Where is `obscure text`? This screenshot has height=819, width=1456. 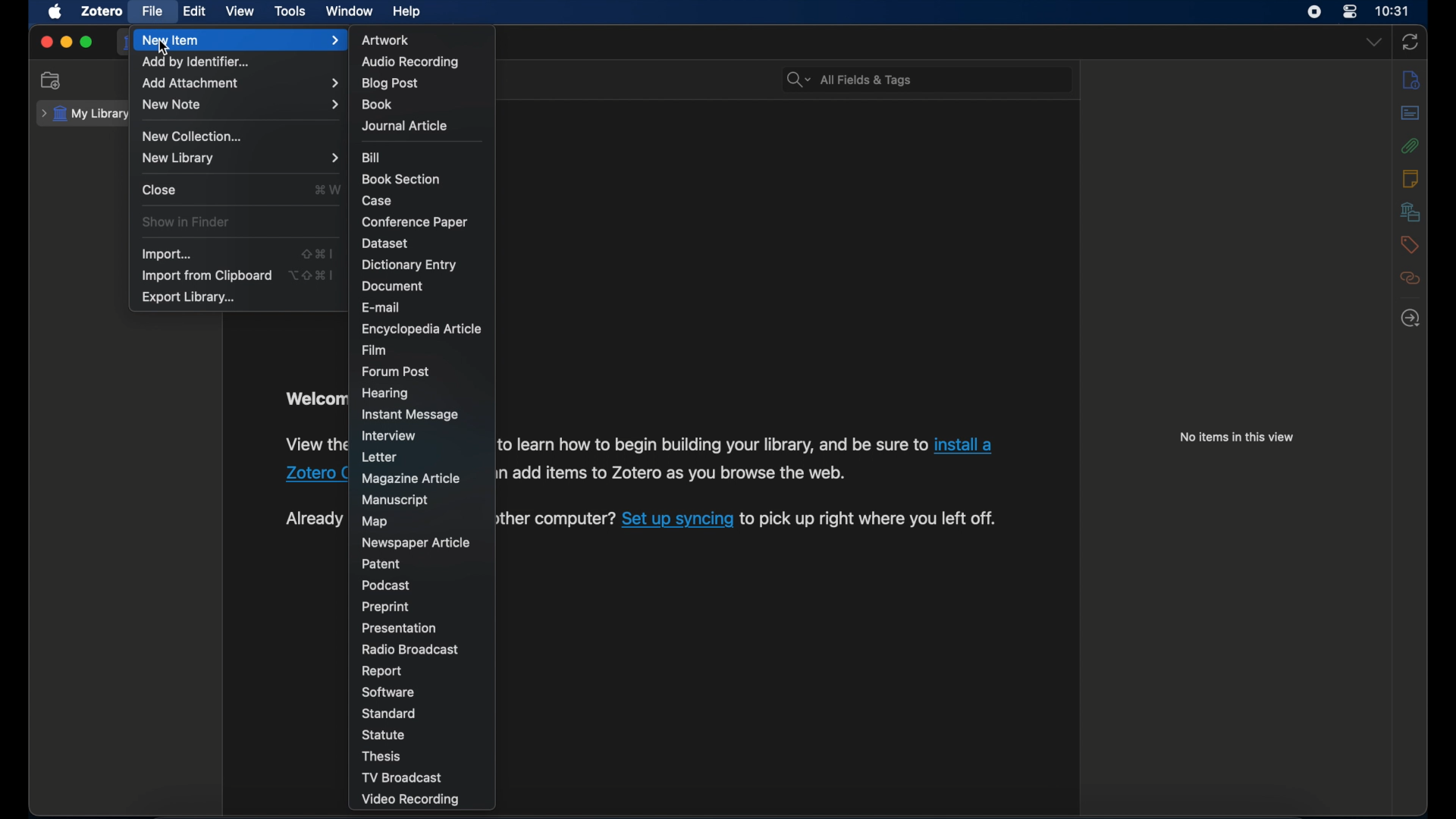
obscure text is located at coordinates (315, 399).